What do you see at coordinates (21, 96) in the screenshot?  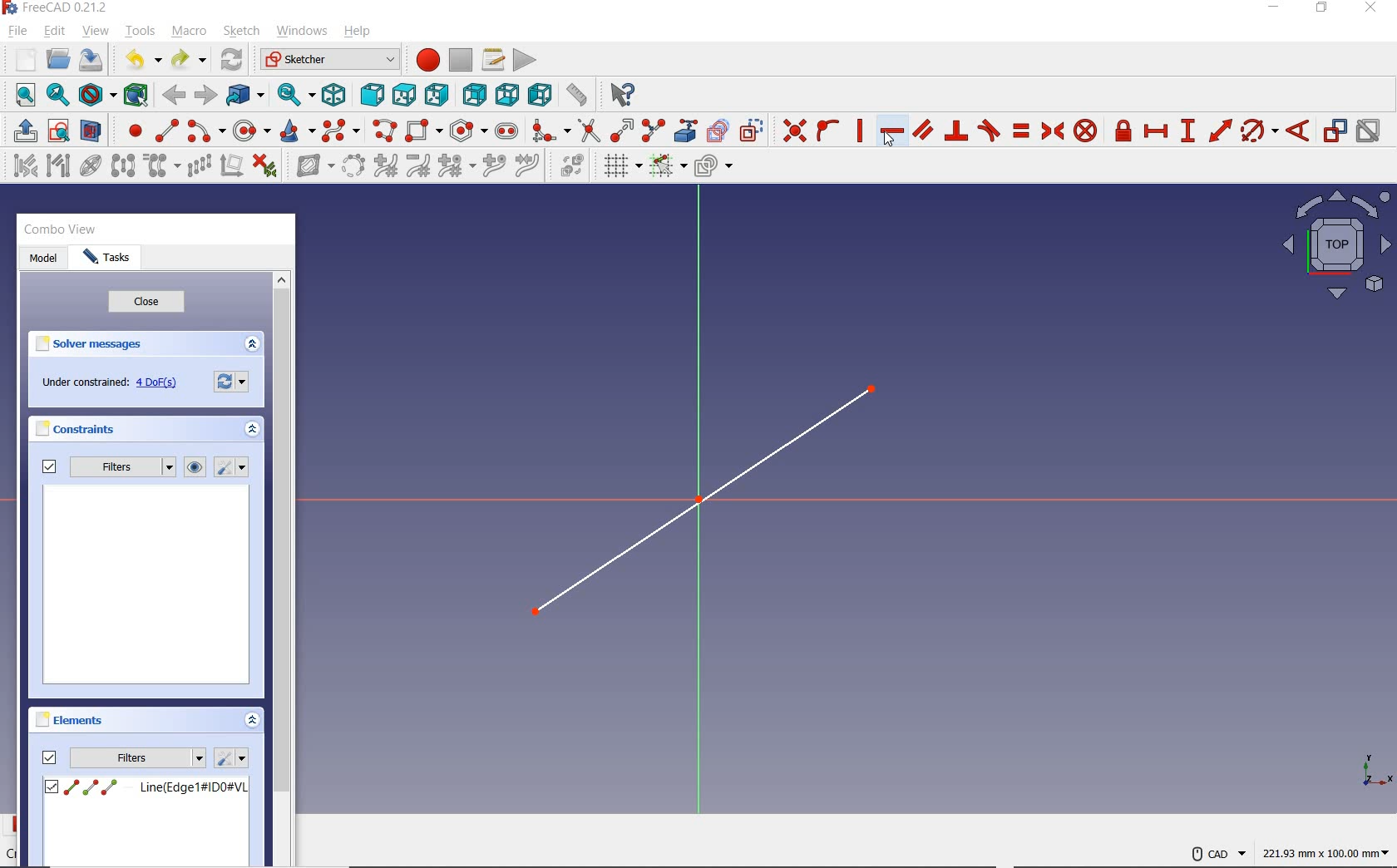 I see `FIT ALL` at bounding box center [21, 96].